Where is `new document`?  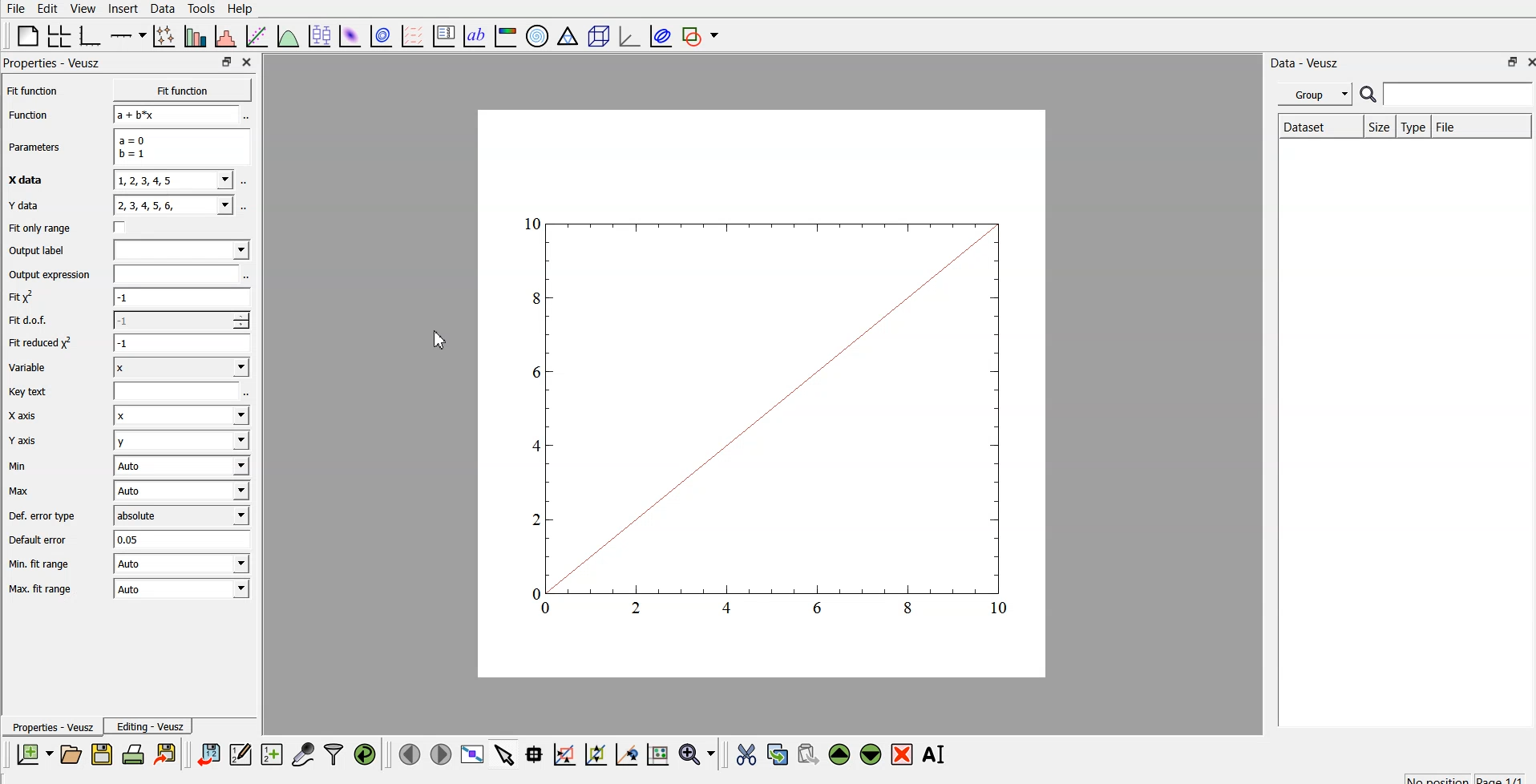
new document is located at coordinates (27, 755).